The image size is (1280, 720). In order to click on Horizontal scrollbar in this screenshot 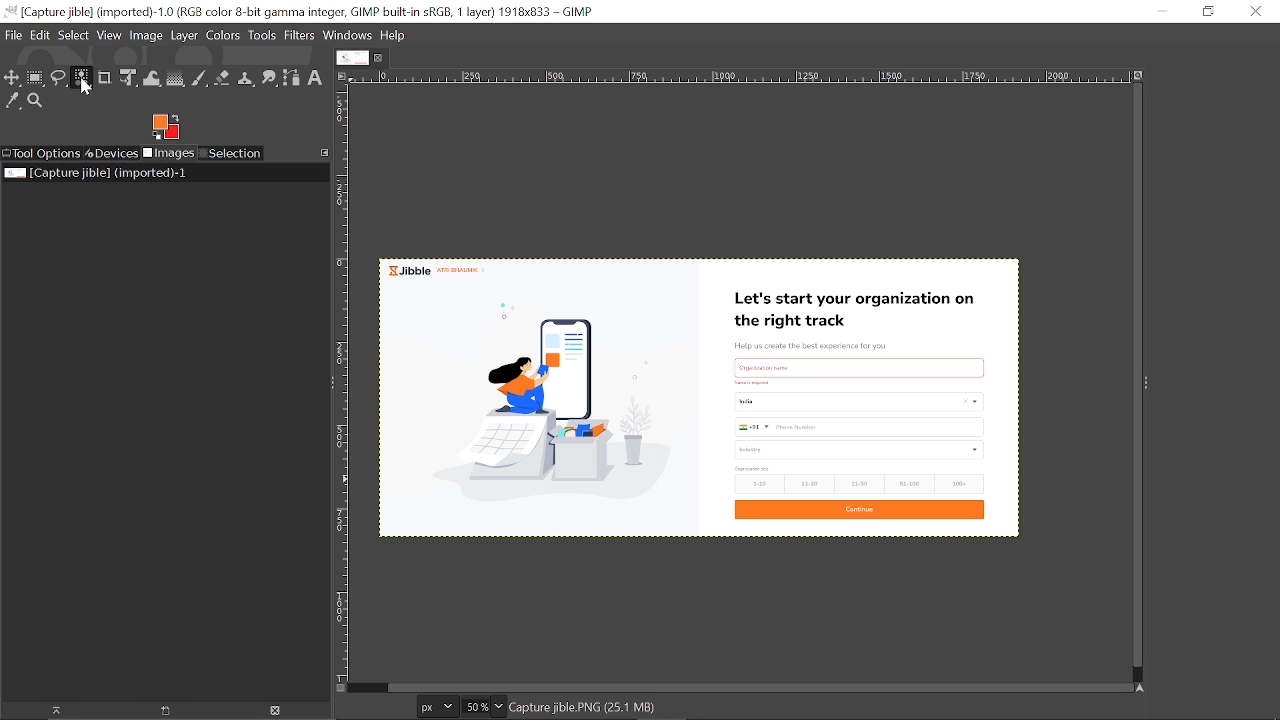, I will do `click(756, 686)`.